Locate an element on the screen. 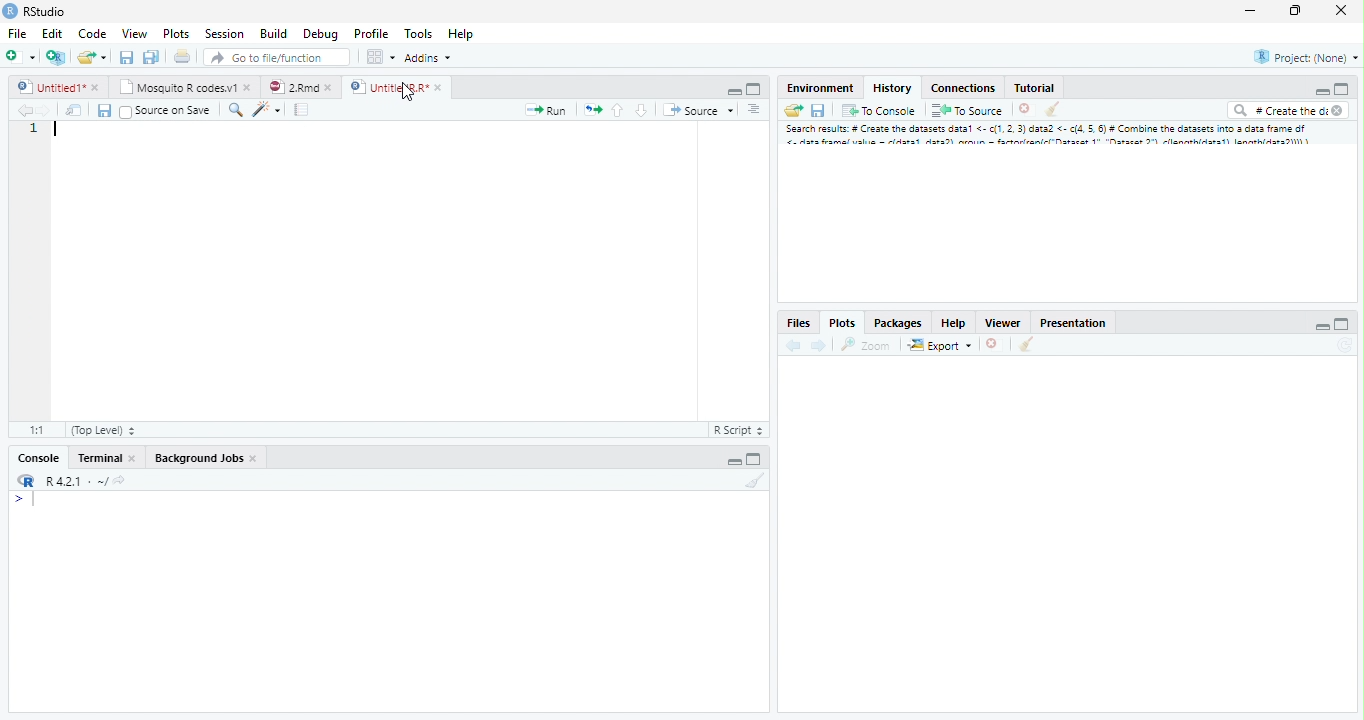 This screenshot has height=720, width=1364. Build is located at coordinates (275, 34).